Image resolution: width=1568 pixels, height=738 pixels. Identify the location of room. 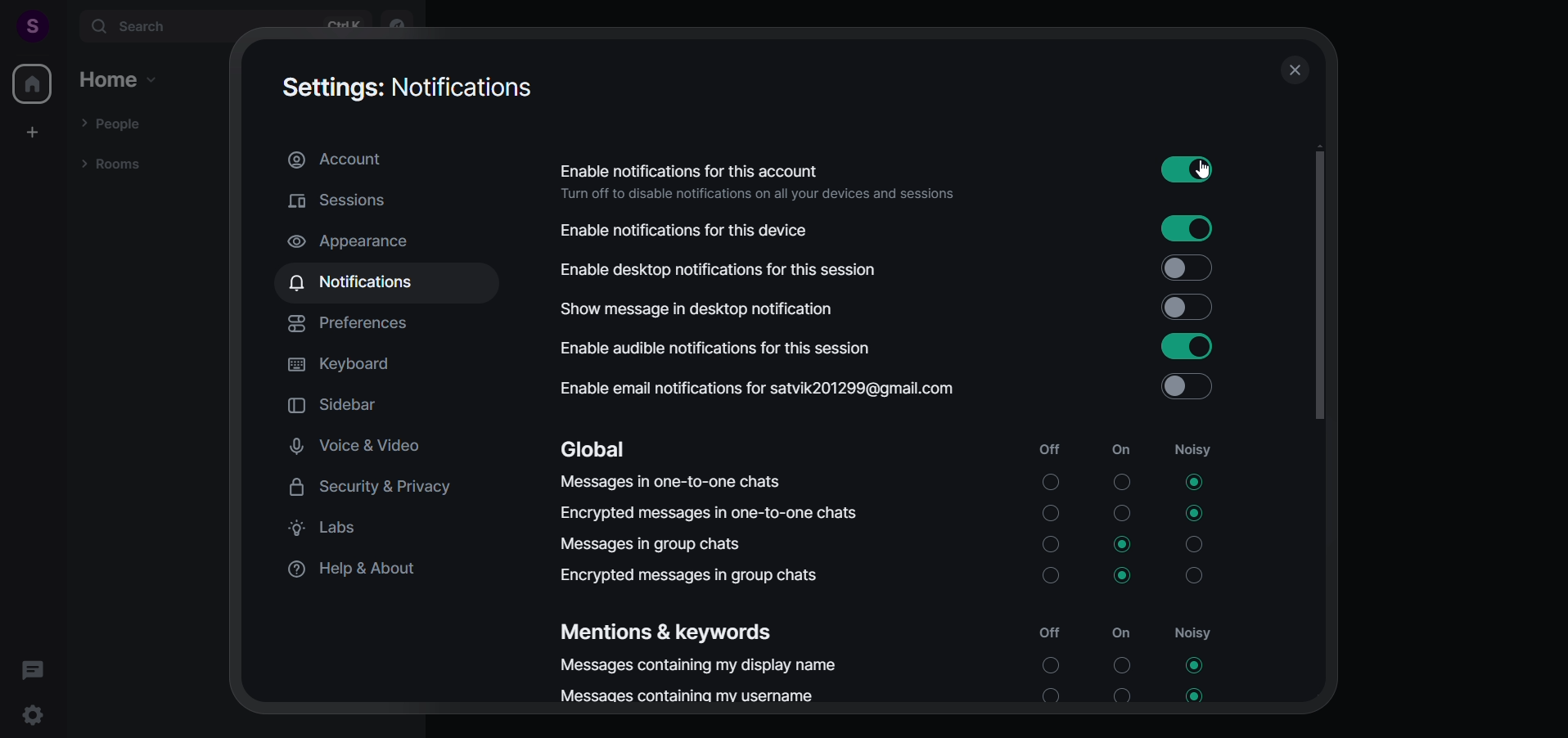
(111, 165).